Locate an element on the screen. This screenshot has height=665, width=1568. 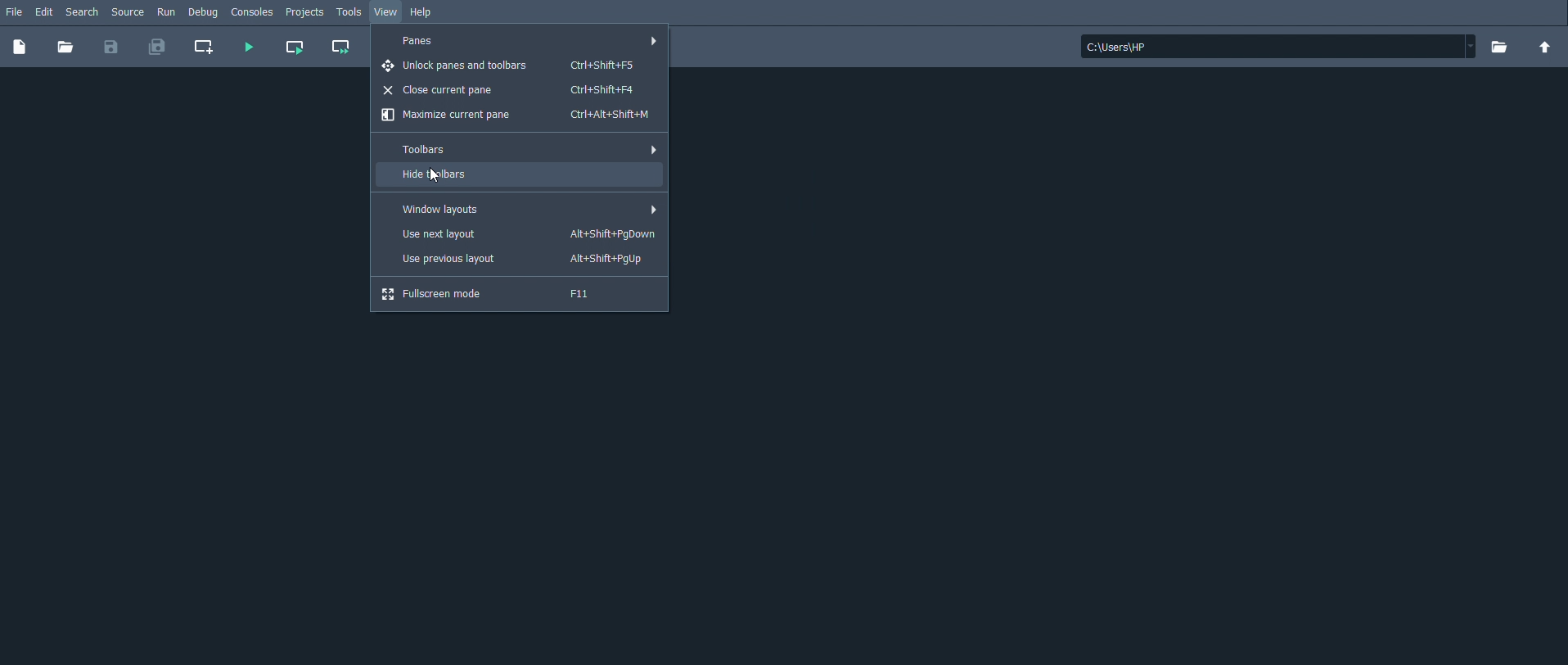
Use previous layout is located at coordinates (516, 259).